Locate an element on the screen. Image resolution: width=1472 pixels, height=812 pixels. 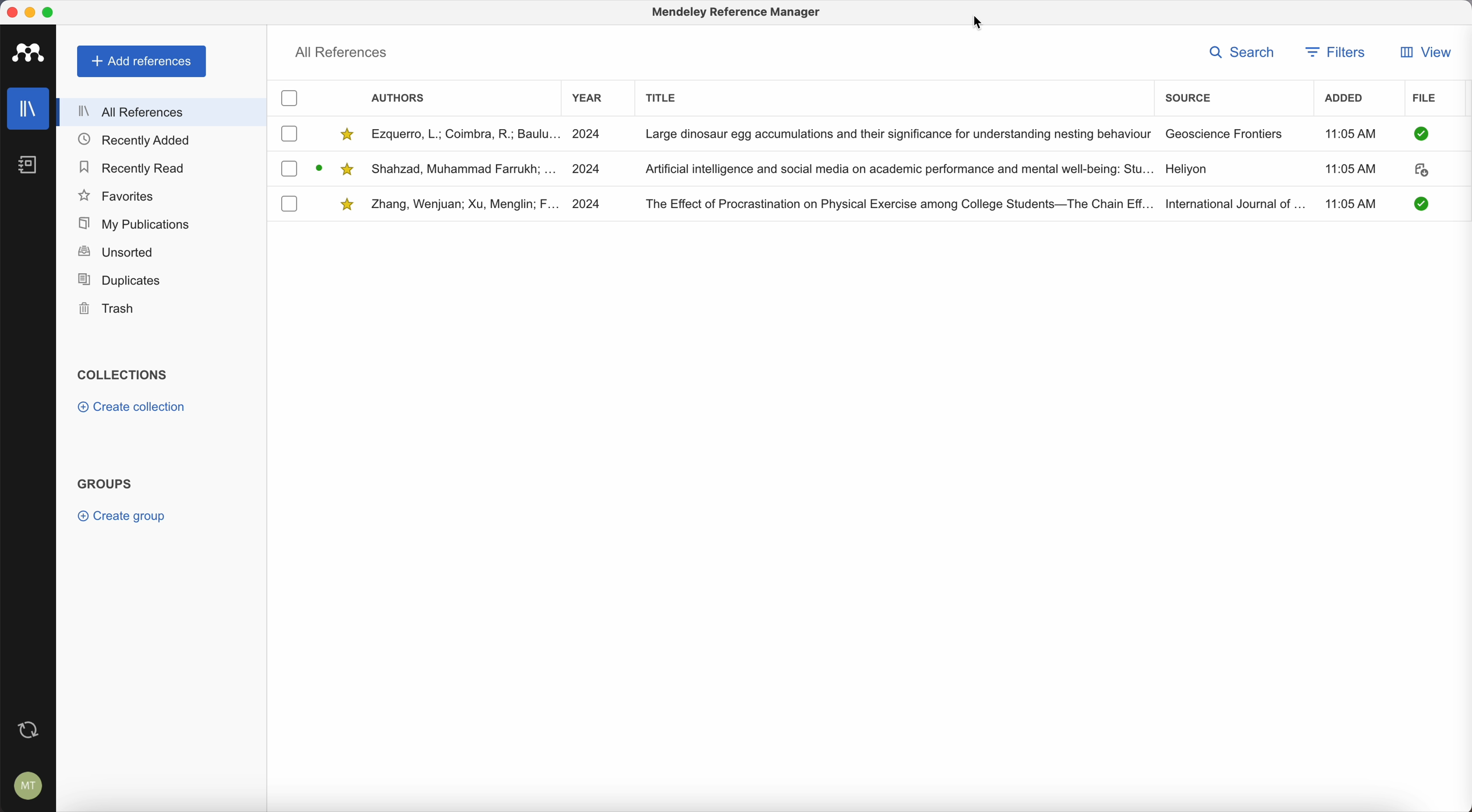
authors is located at coordinates (401, 99).